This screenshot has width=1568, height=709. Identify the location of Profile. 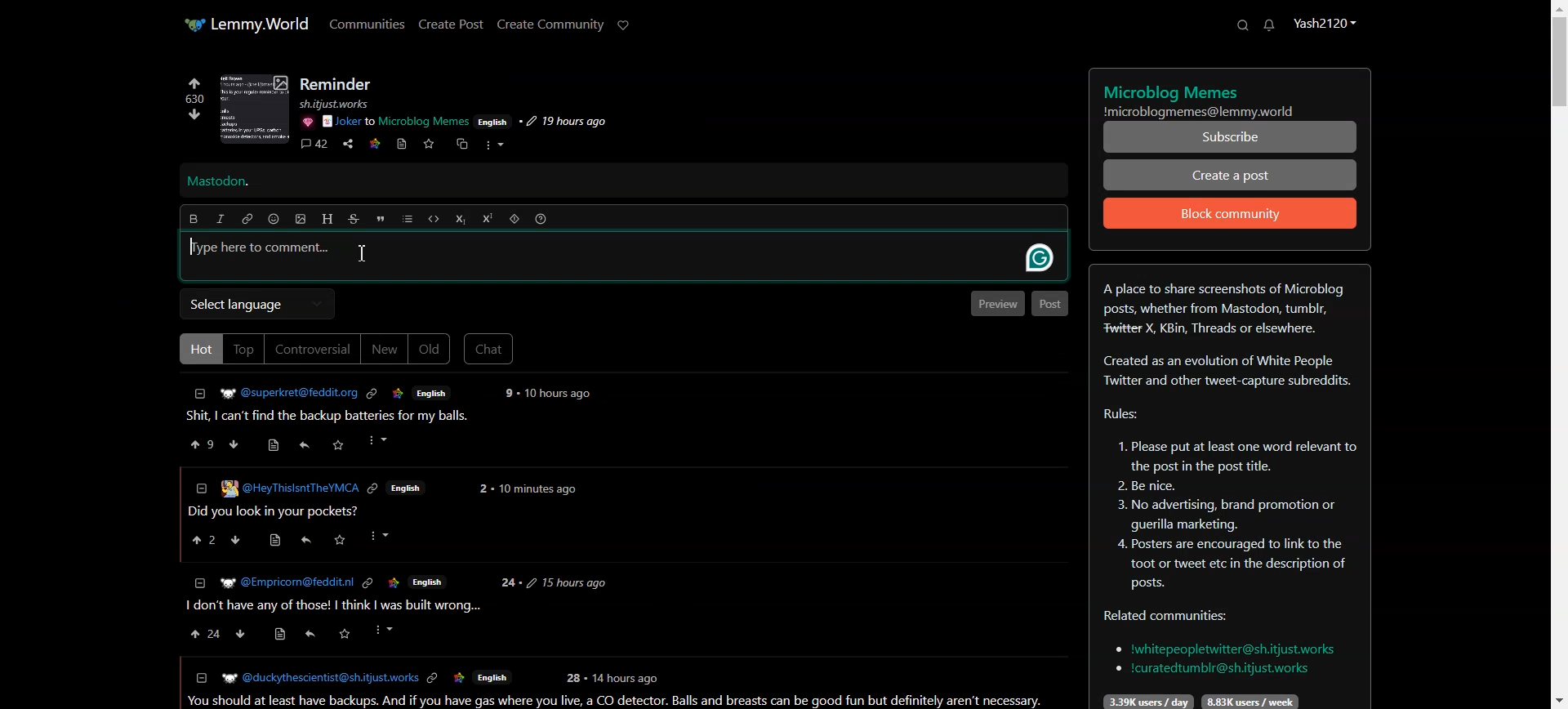
(1324, 22).